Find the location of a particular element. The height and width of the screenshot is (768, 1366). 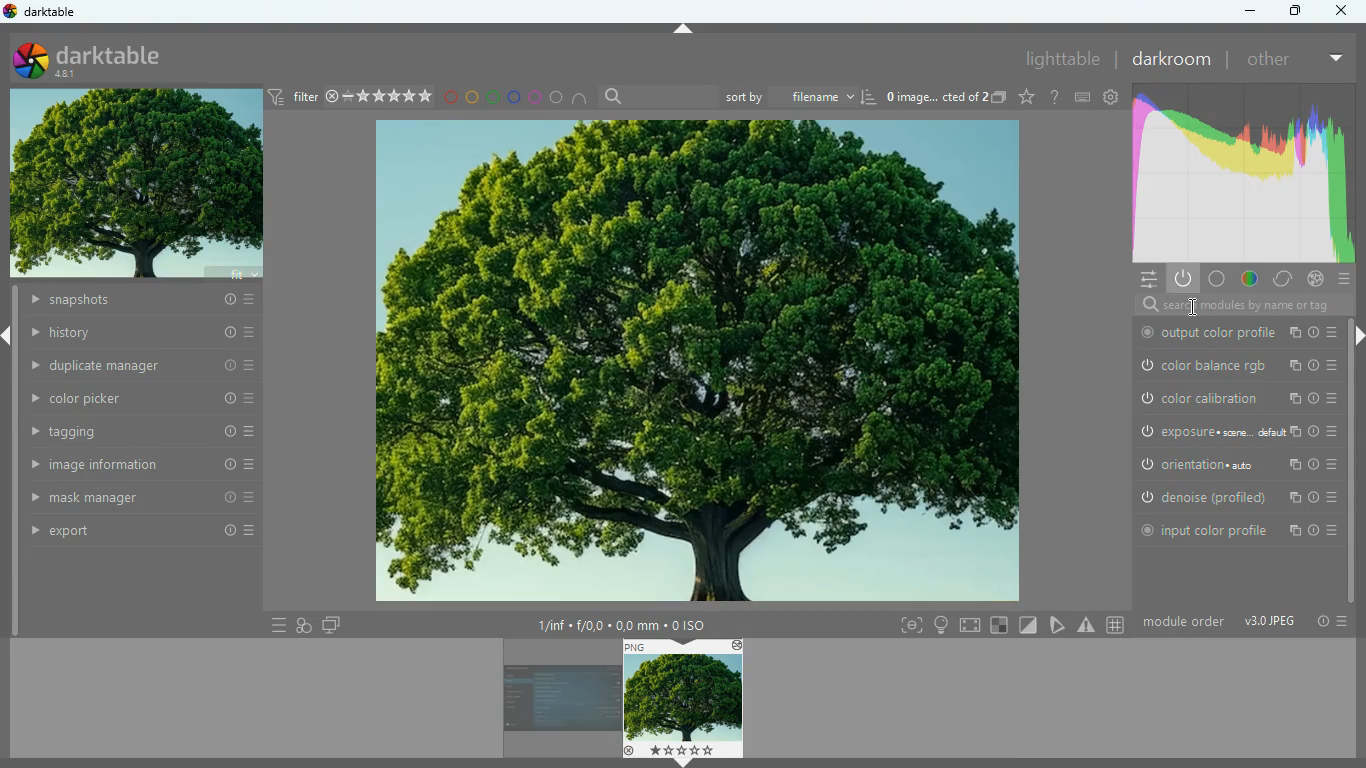

power is located at coordinates (1184, 278).